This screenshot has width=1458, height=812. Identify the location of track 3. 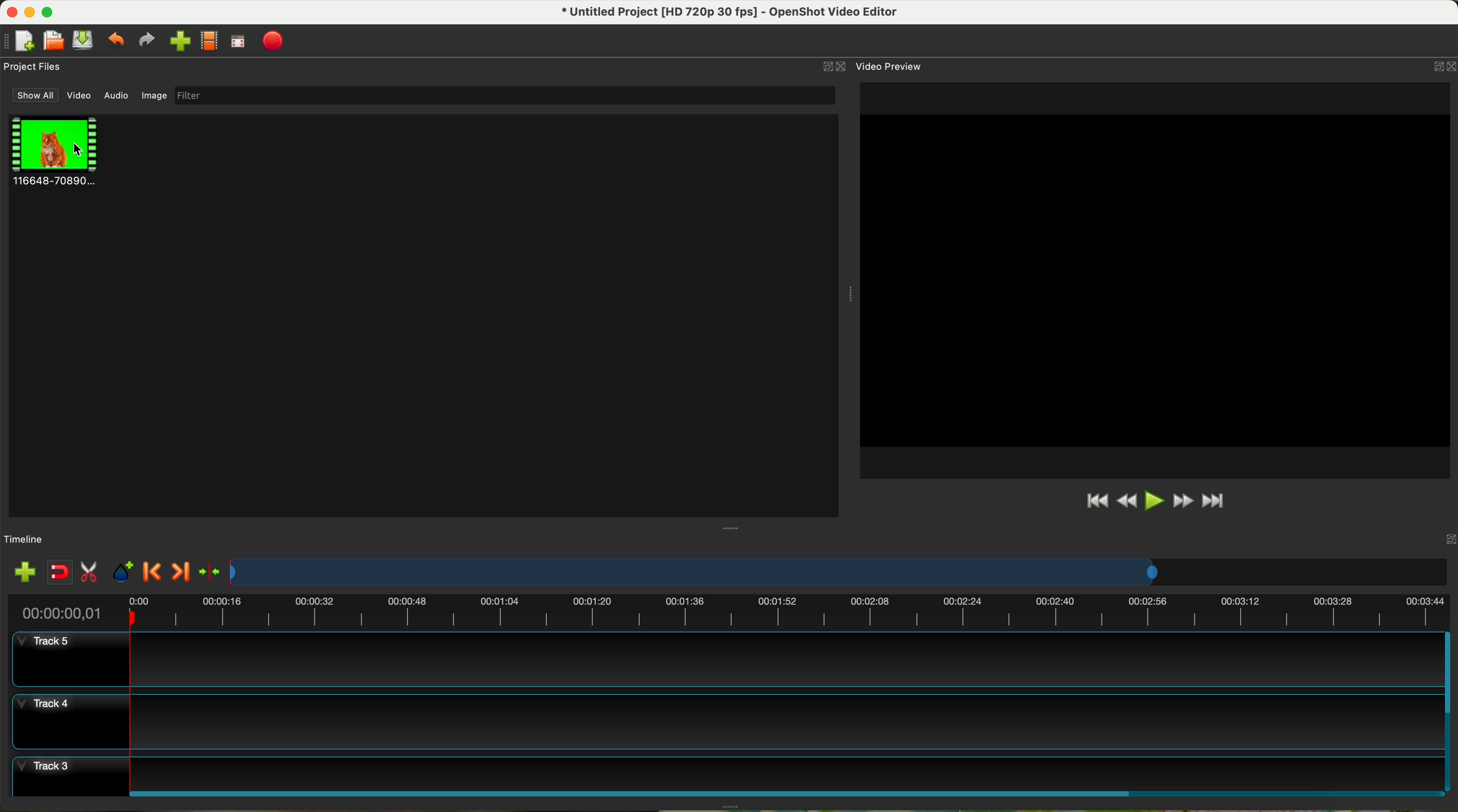
(726, 771).